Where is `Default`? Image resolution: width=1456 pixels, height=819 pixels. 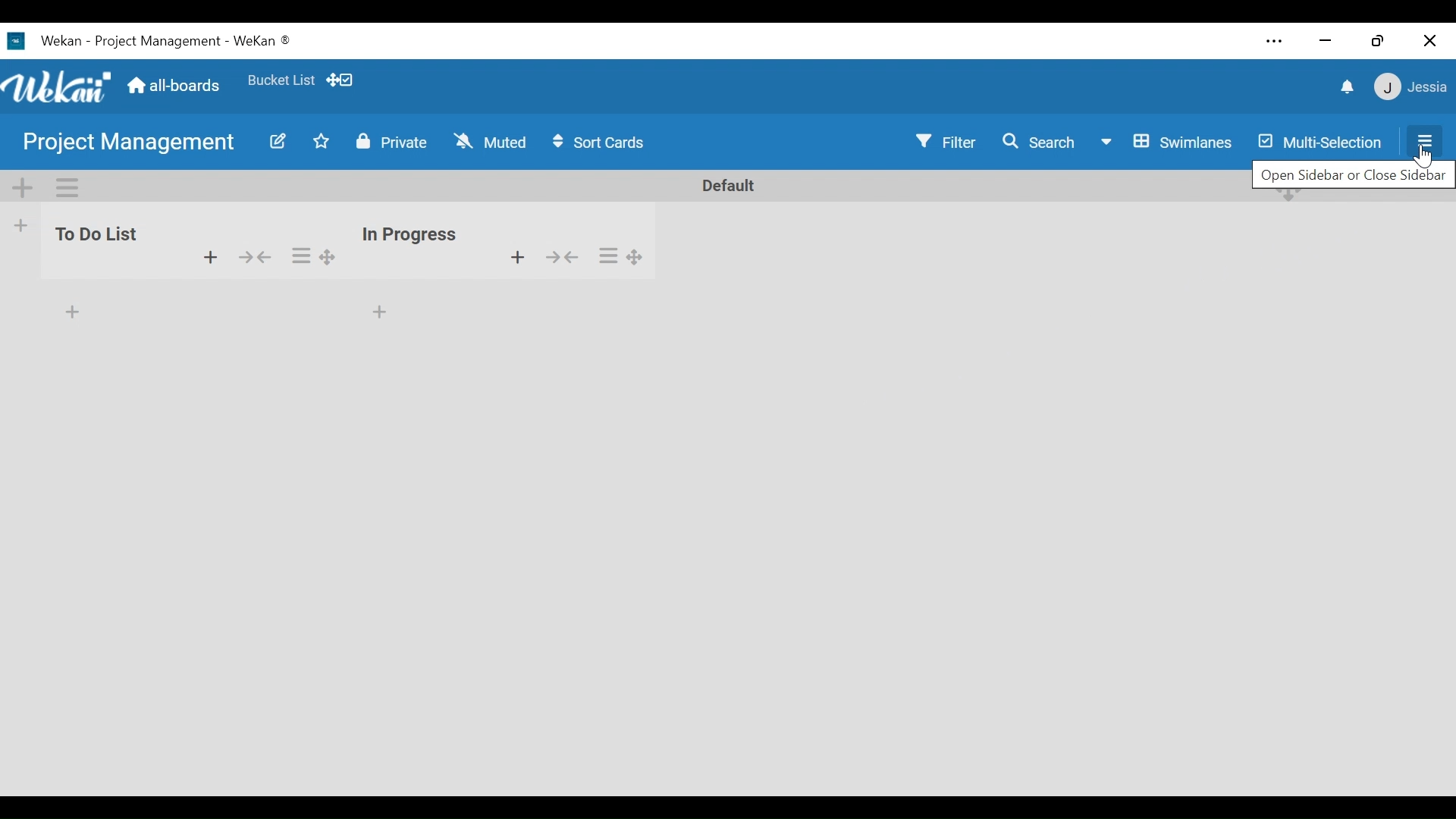
Default is located at coordinates (724, 185).